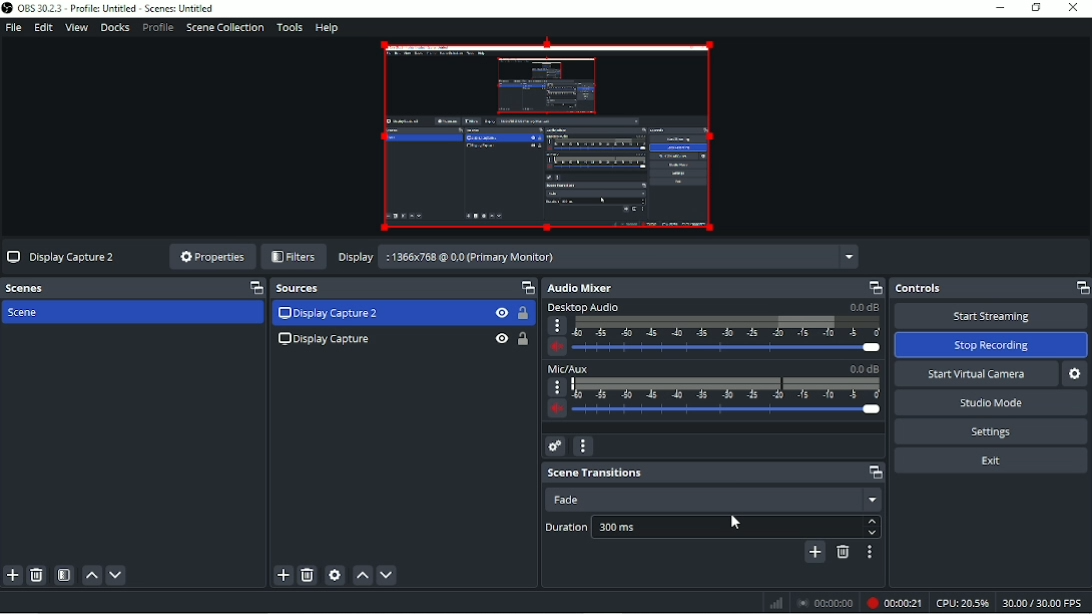  What do you see at coordinates (115, 8) in the screenshot?
I see `OBS 30.2.3 - Profile: Untitled - Scenes: Untitled` at bounding box center [115, 8].